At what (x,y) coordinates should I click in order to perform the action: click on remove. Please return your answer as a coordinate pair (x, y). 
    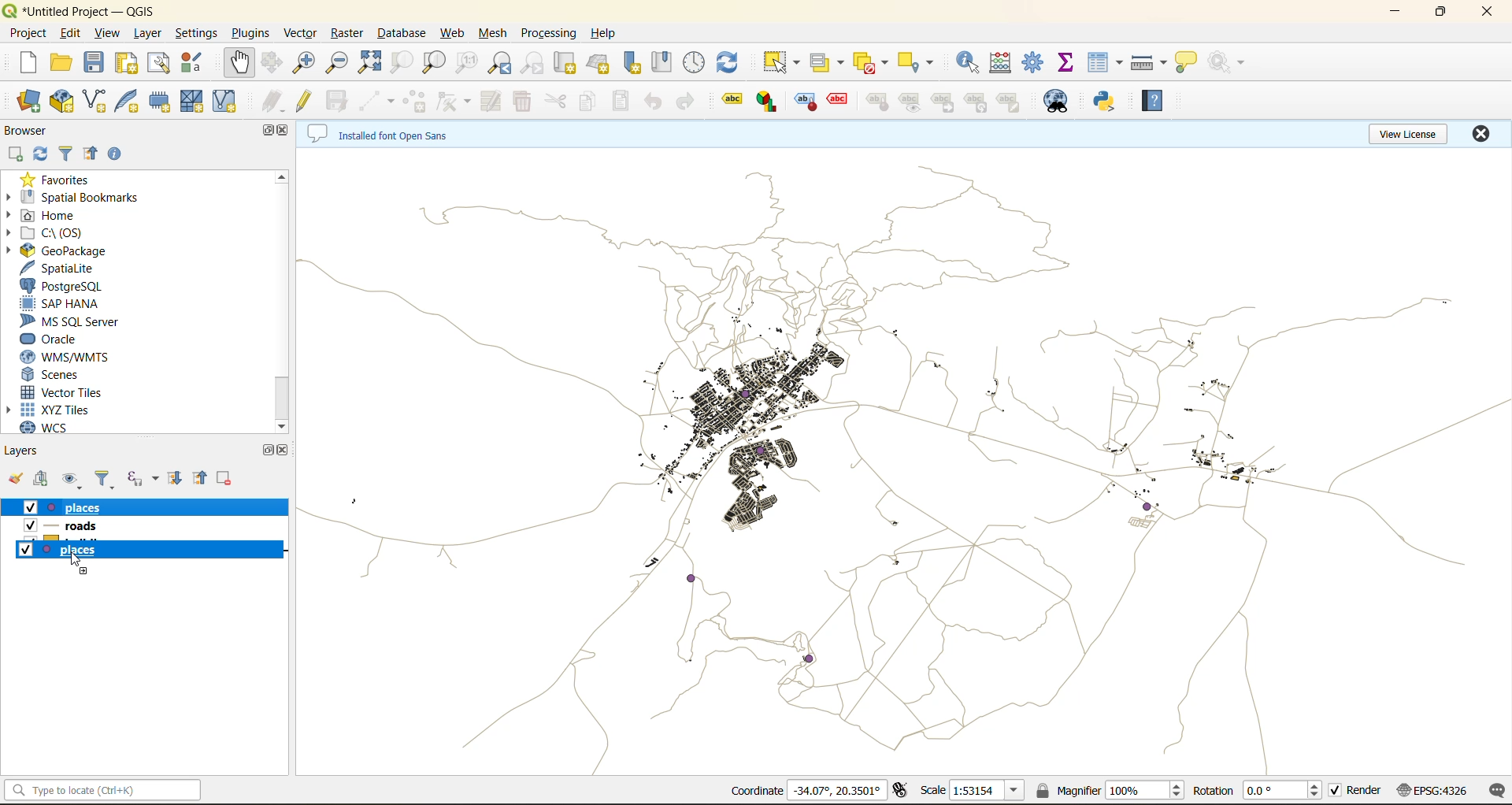
    Looking at the image, I should click on (224, 479).